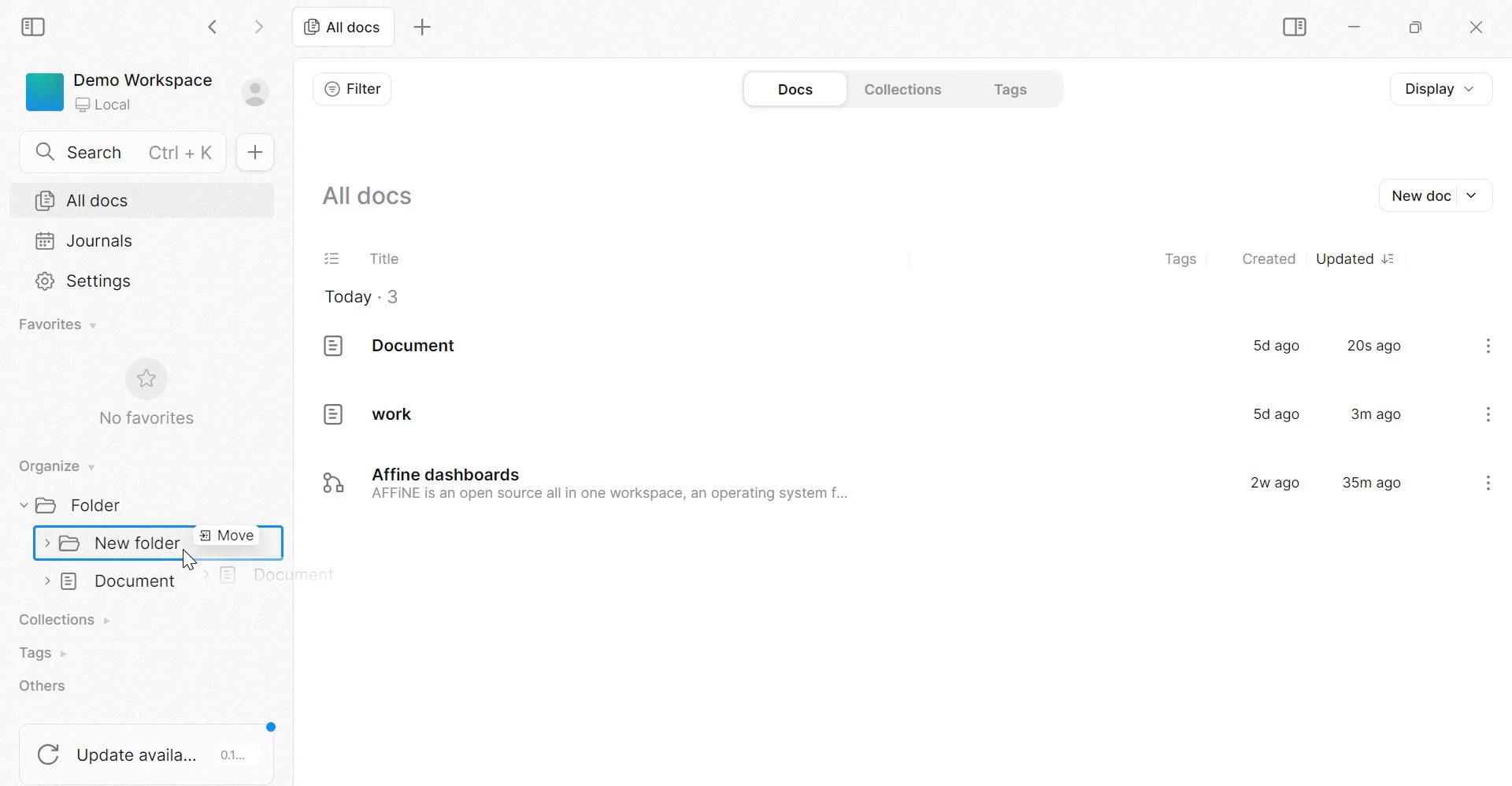 The width and height of the screenshot is (1512, 786). Describe the element at coordinates (1182, 257) in the screenshot. I see `tags` at that location.